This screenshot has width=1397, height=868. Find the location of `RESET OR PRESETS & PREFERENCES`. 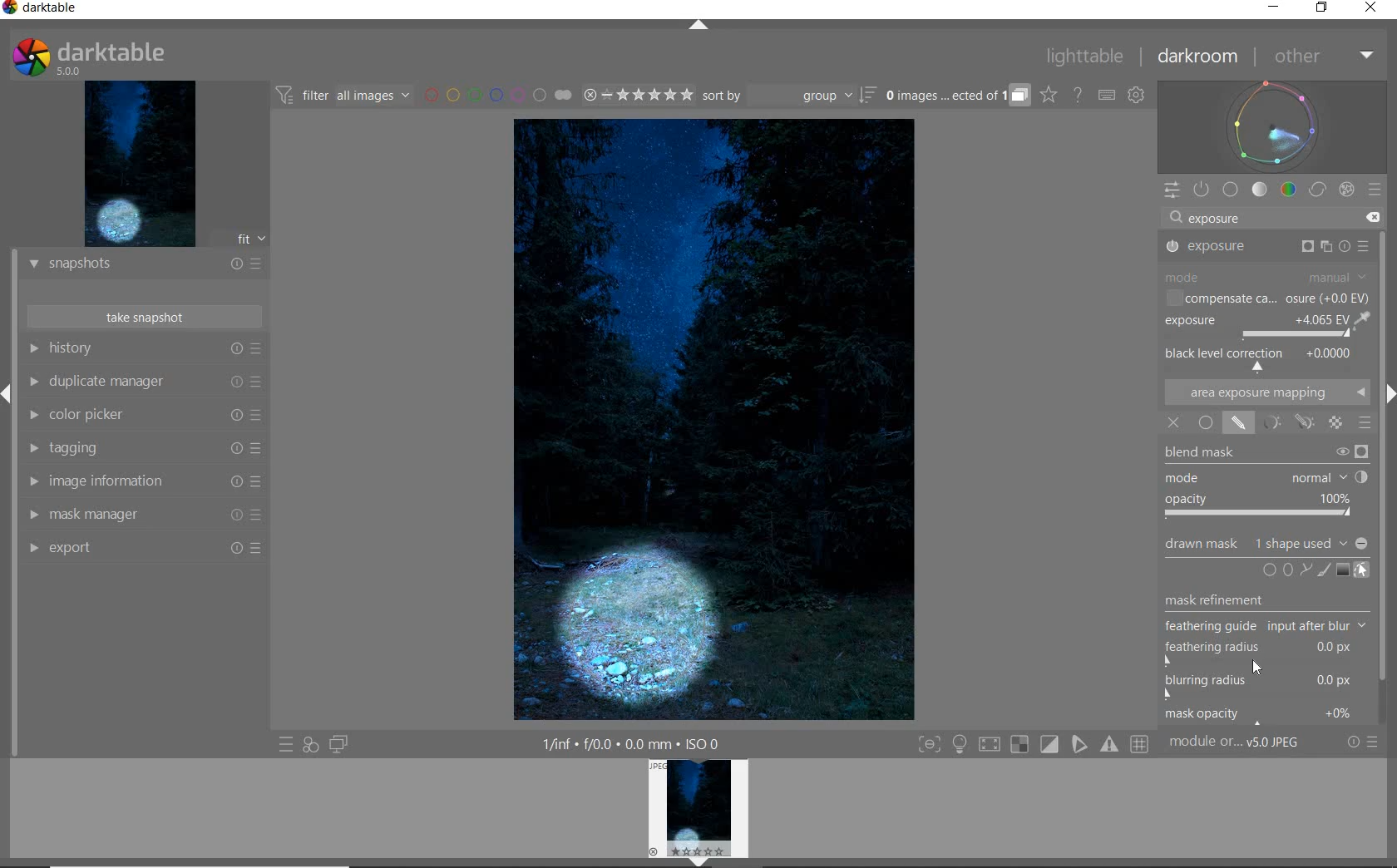

RESET OR PRESETS & PREFERENCES is located at coordinates (1364, 742).